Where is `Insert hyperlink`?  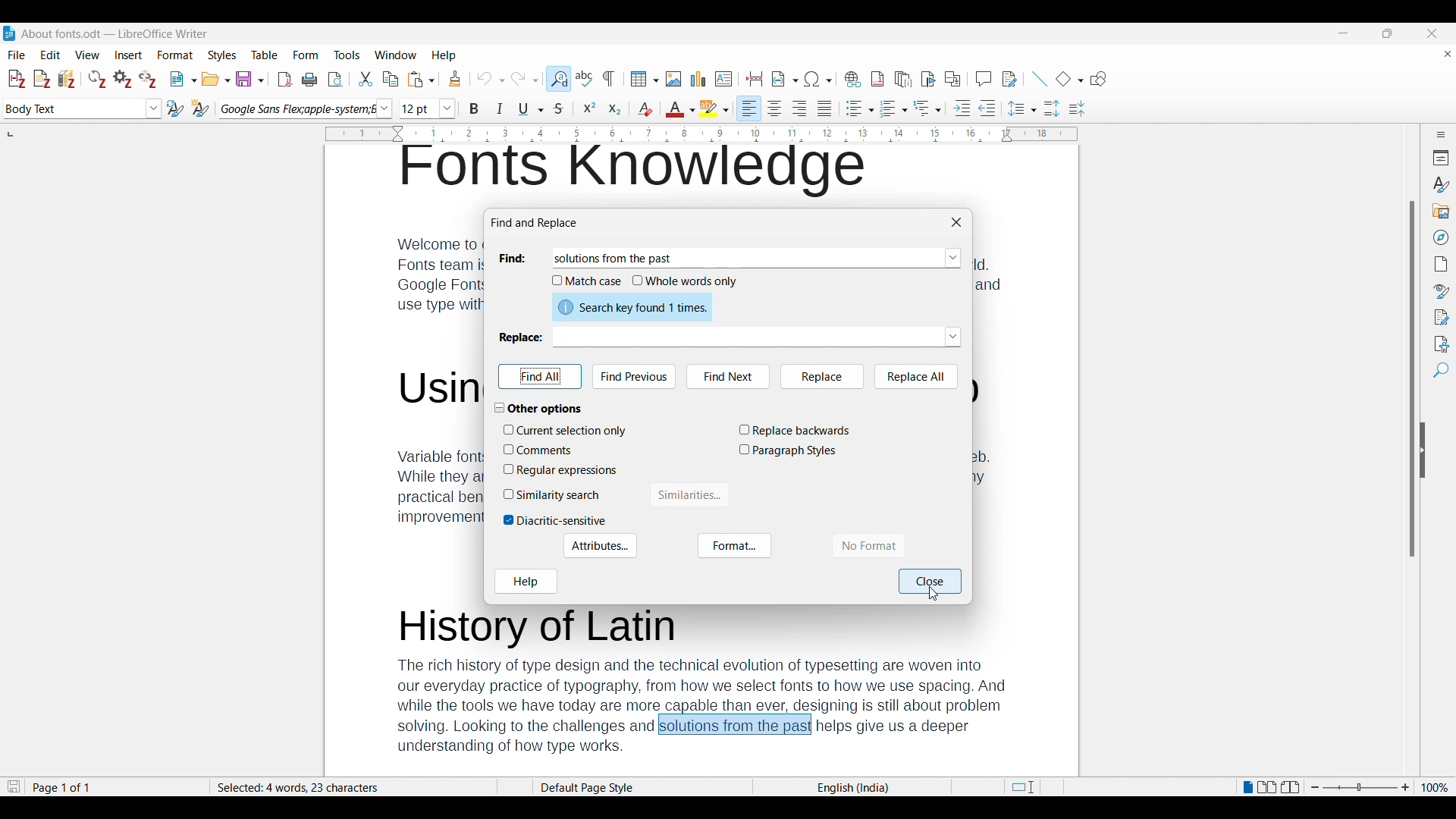 Insert hyperlink is located at coordinates (853, 79).